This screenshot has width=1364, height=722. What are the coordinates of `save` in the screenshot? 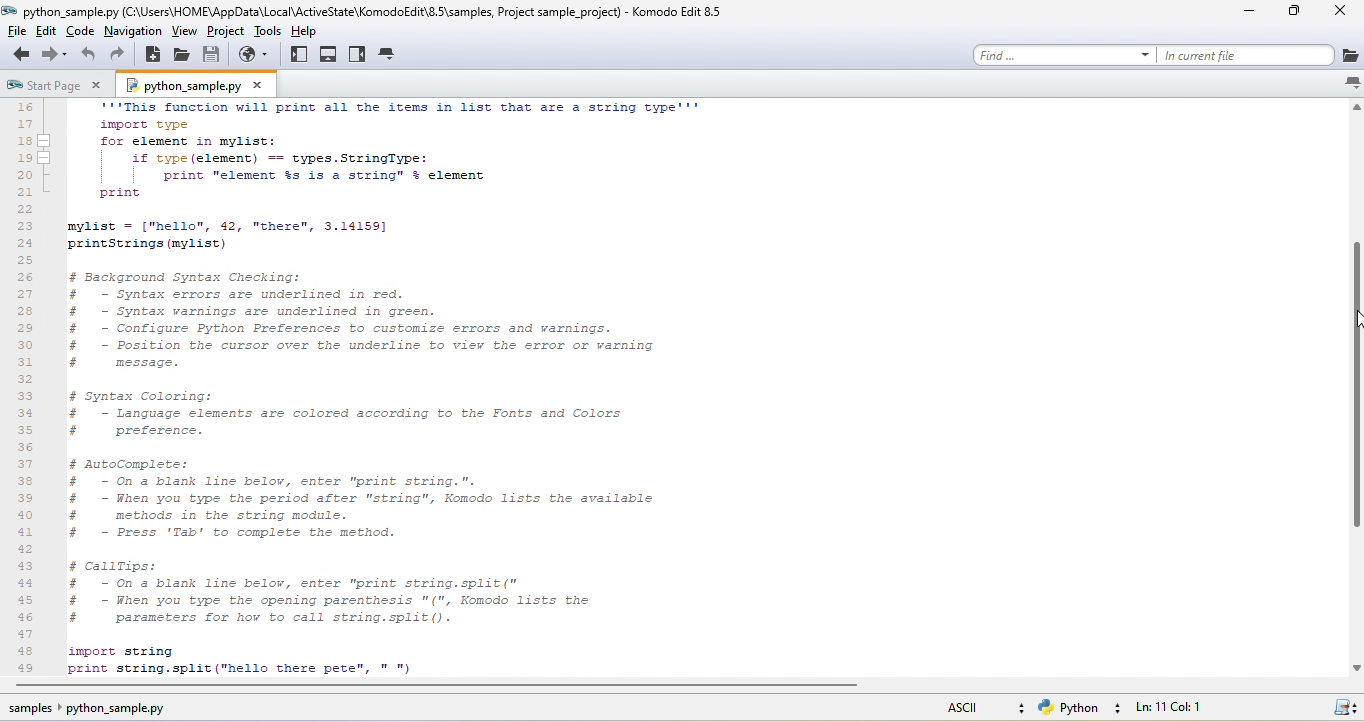 It's located at (213, 54).